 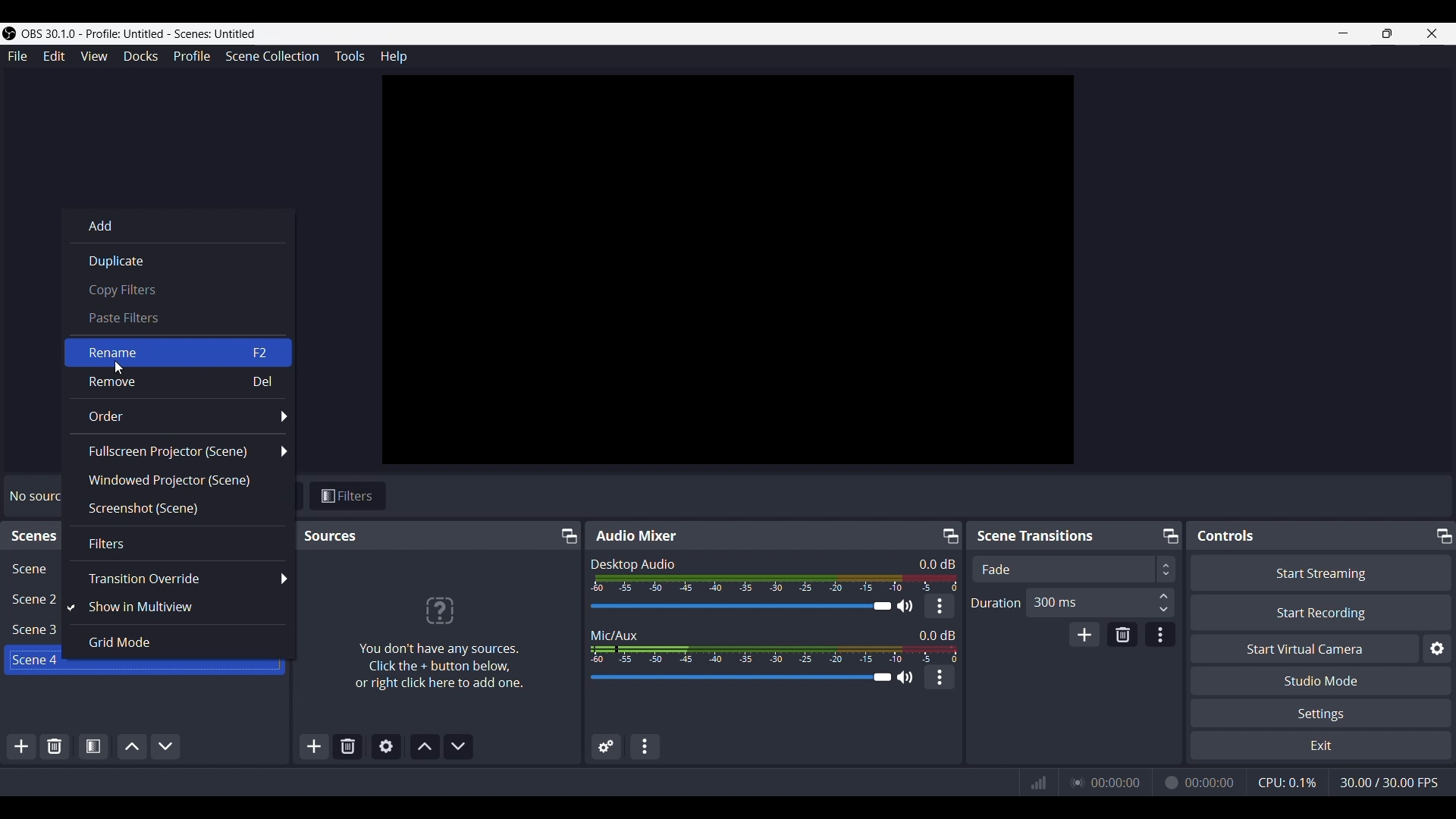 What do you see at coordinates (1432, 33) in the screenshot?
I see `close` at bounding box center [1432, 33].